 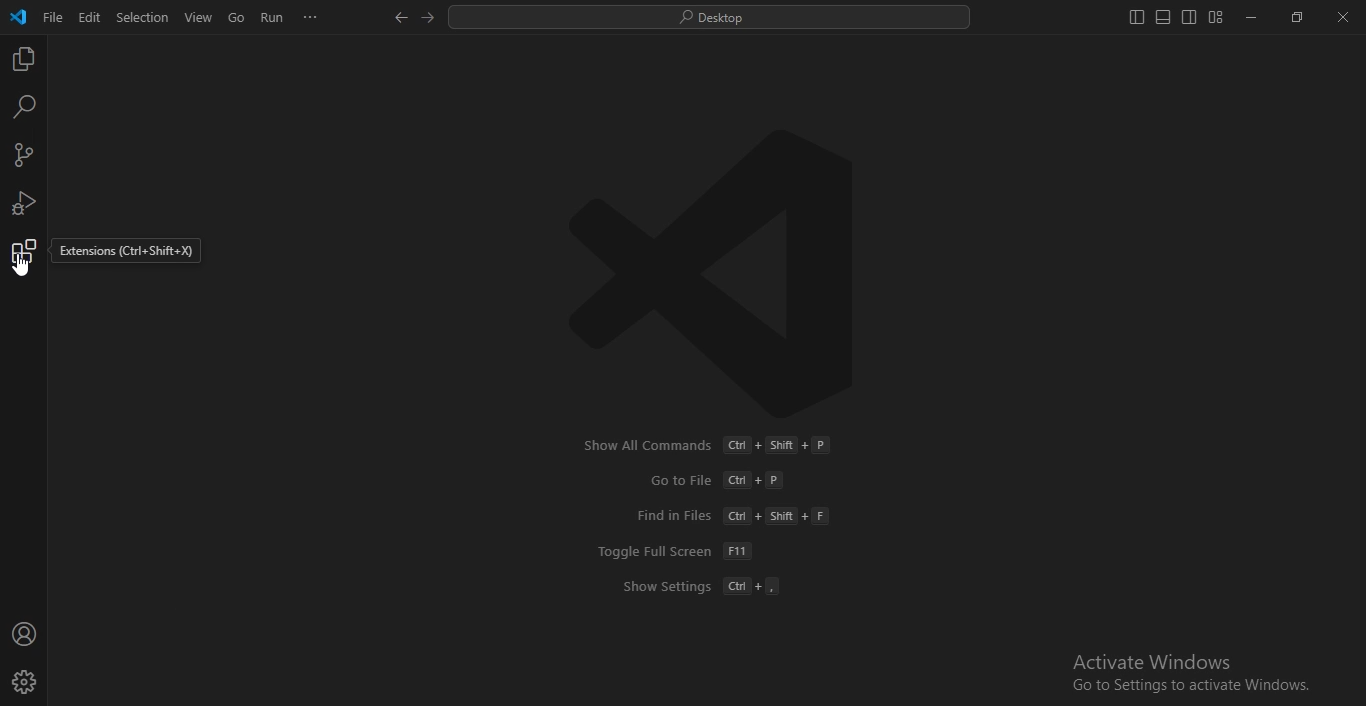 What do you see at coordinates (705, 516) in the screenshot?
I see `Show All Commands Cu + Shit + P
GotoFile (Cul +P
Find in Files Cl + Sh + F
Toggle Full Screen [Fil
Show Settings Cul +,` at bounding box center [705, 516].